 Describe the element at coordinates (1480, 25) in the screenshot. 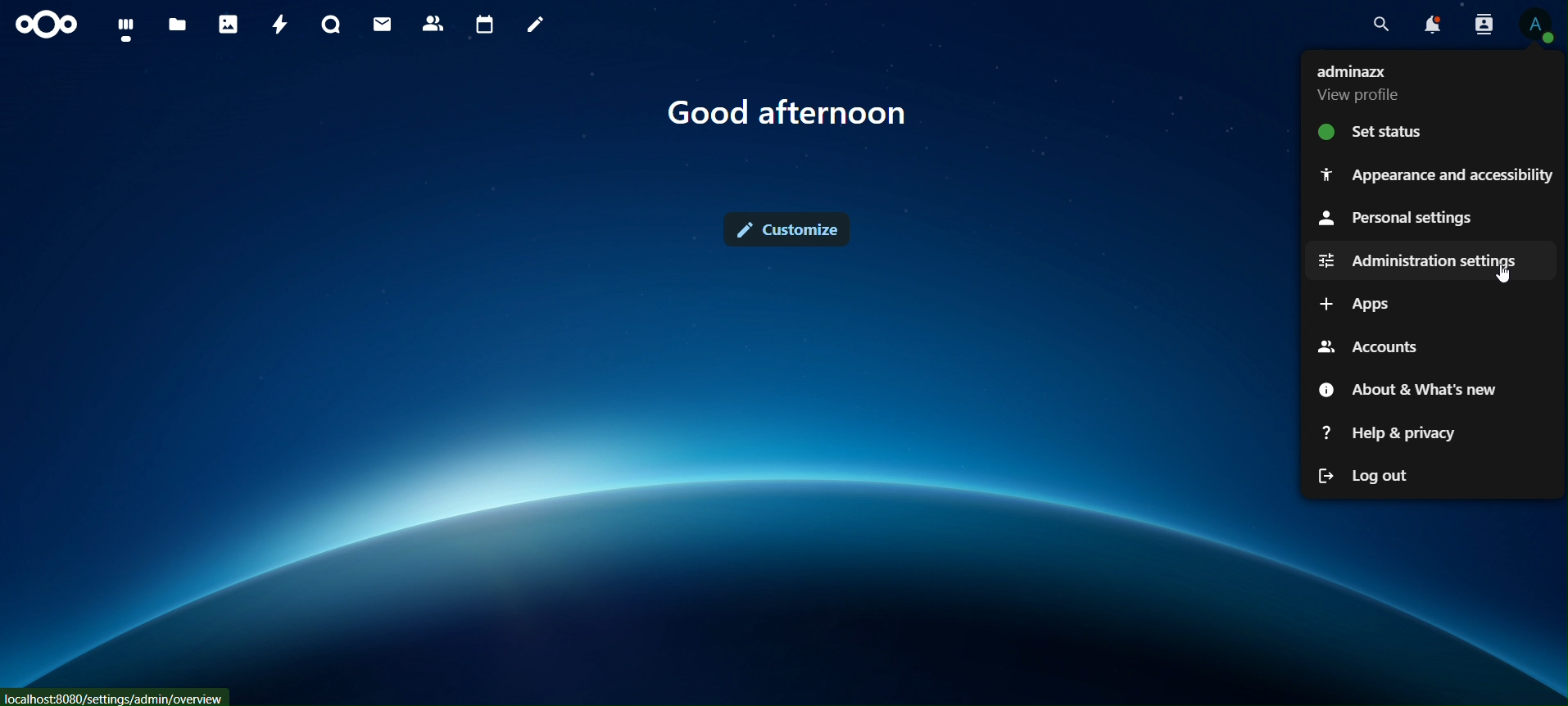

I see `search contacts` at that location.